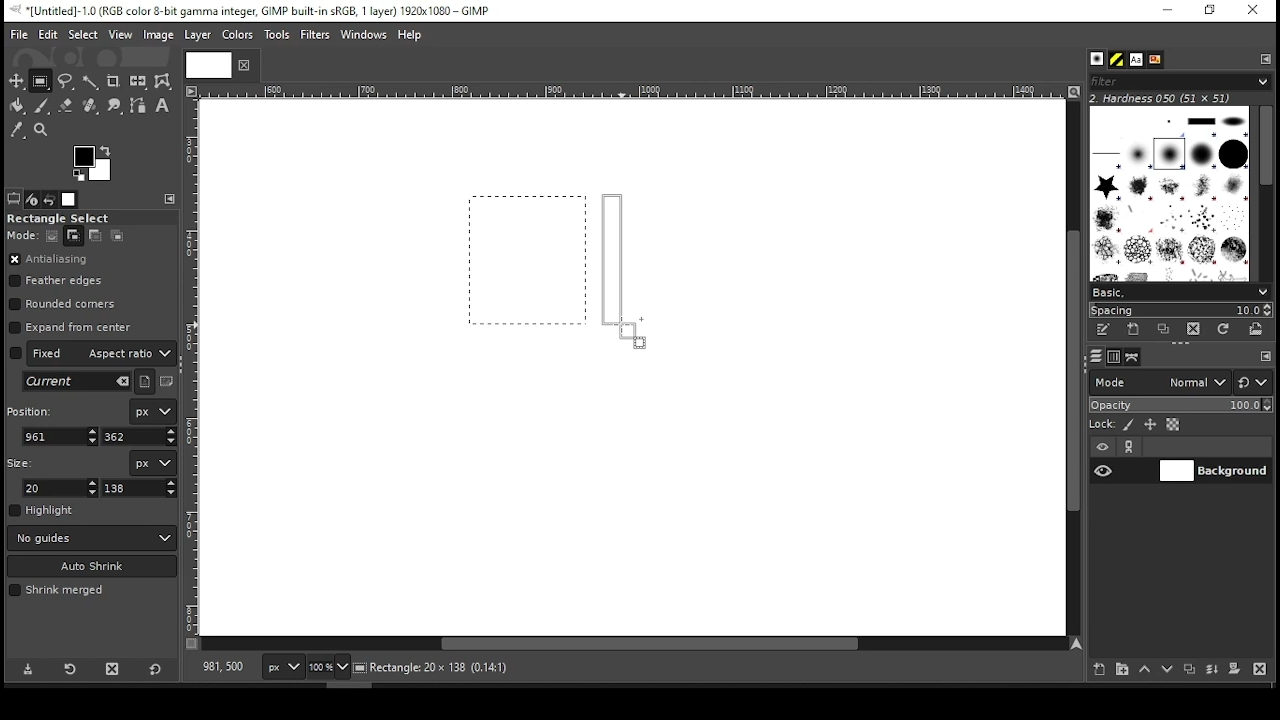  What do you see at coordinates (1102, 331) in the screenshot?
I see `edit this brush` at bounding box center [1102, 331].